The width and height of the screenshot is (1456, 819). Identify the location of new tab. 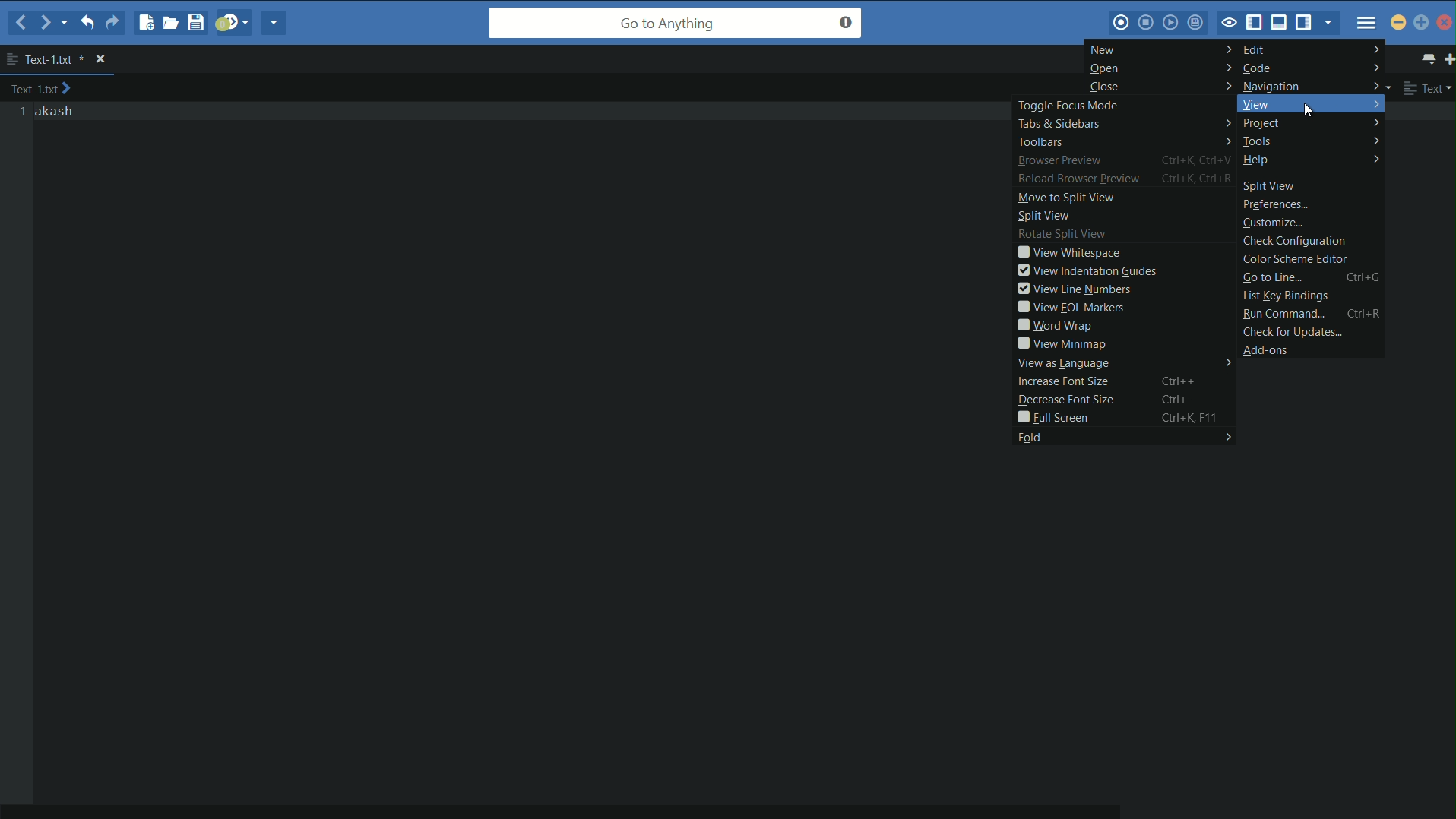
(1447, 58).